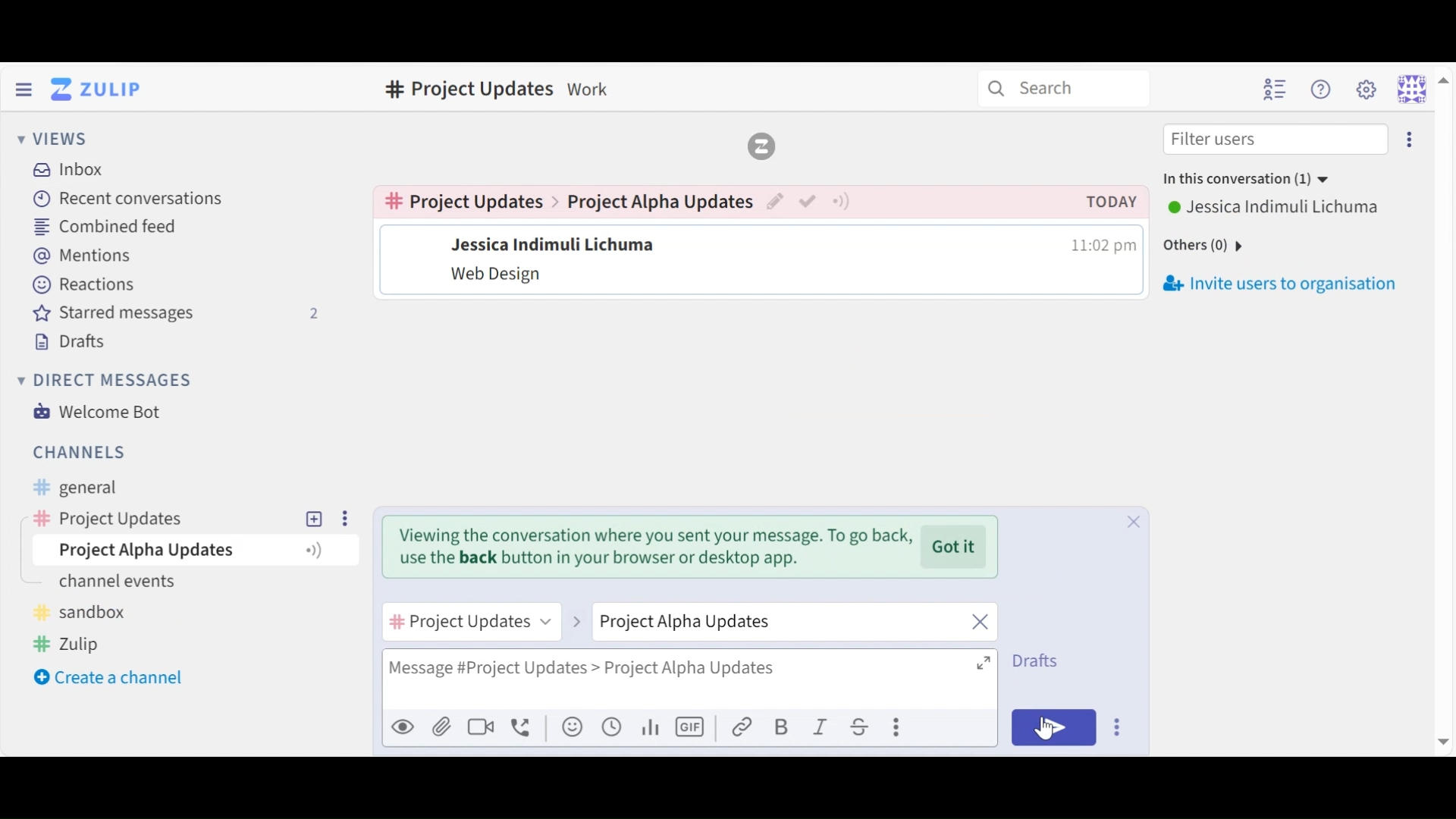 The width and height of the screenshot is (1456, 819). Describe the element at coordinates (522, 727) in the screenshot. I see `Add voice call` at that location.